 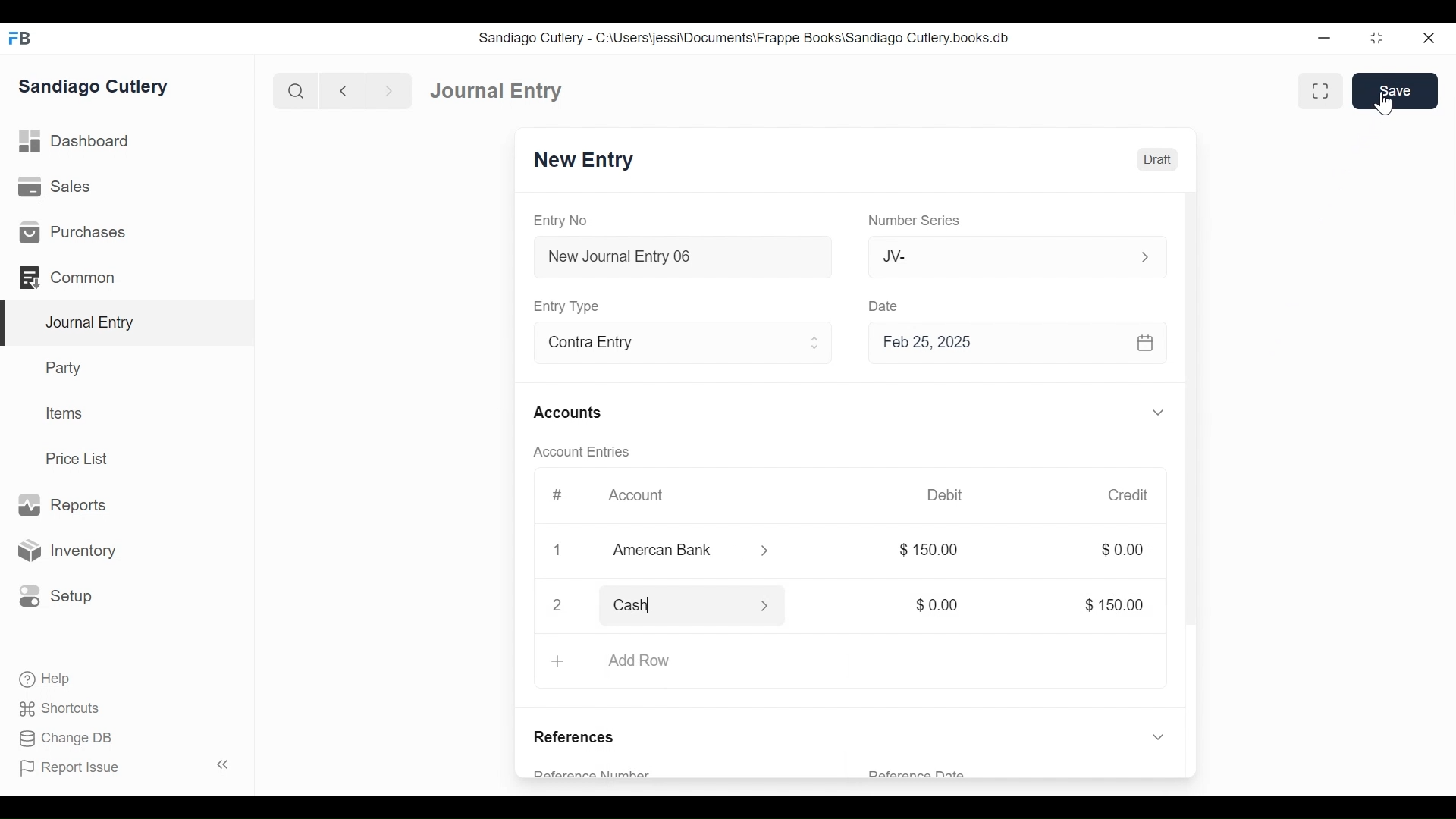 I want to click on +, so click(x=557, y=661).